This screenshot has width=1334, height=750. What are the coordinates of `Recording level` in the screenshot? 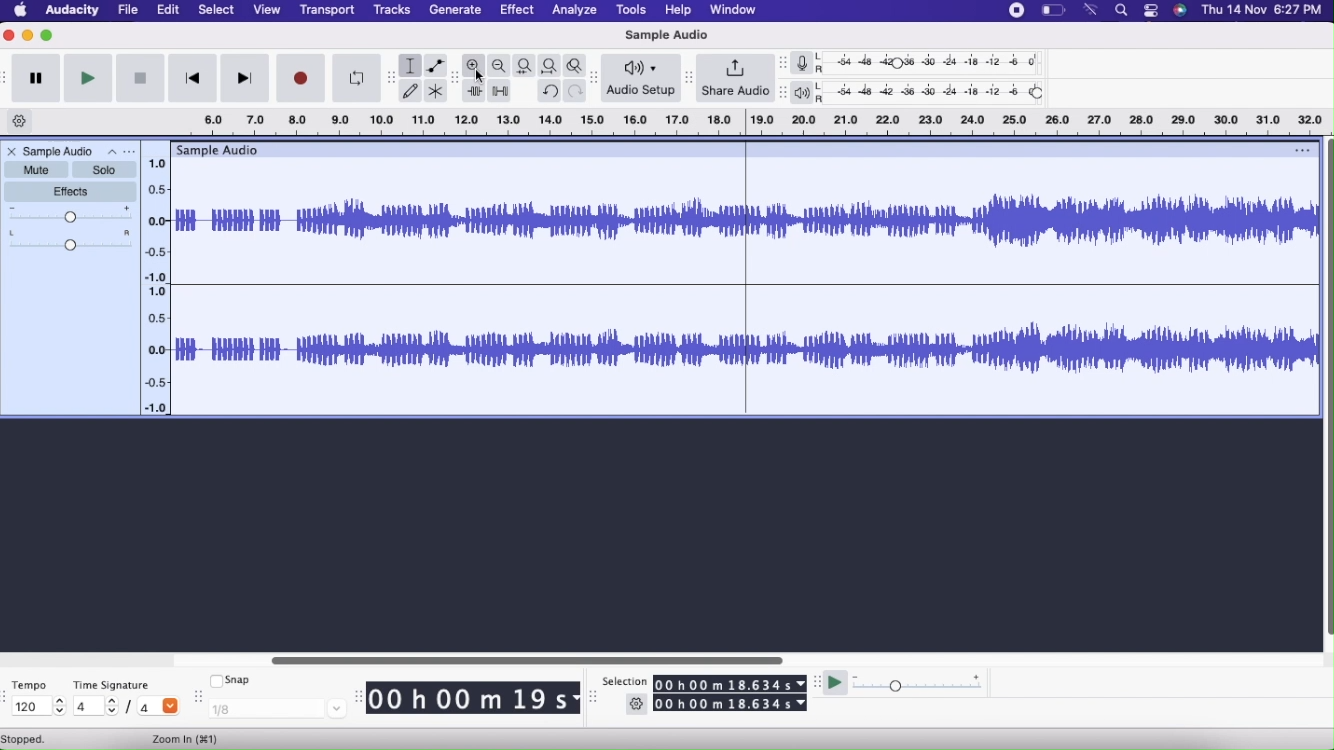 It's located at (939, 61).